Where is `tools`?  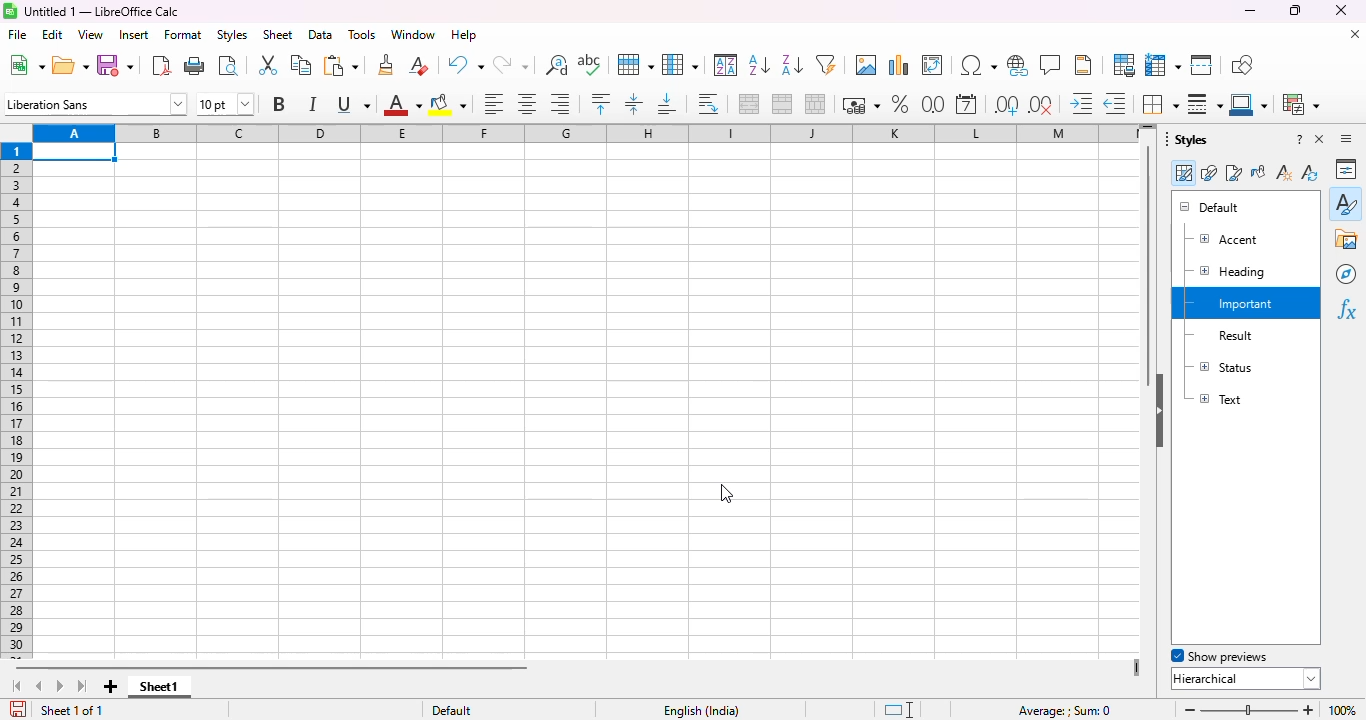 tools is located at coordinates (362, 35).